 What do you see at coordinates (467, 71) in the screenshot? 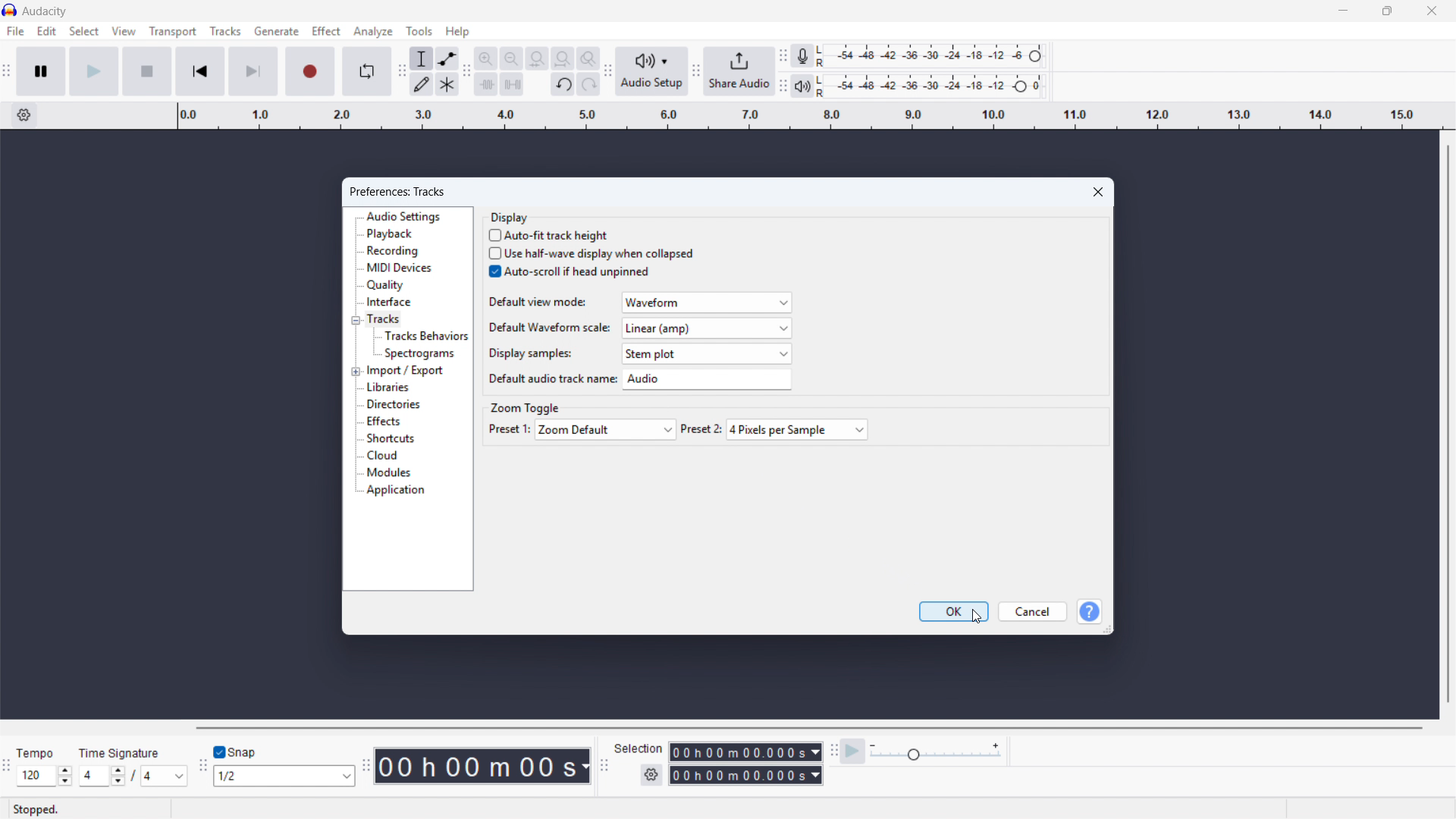
I see `edit toolbar` at bounding box center [467, 71].